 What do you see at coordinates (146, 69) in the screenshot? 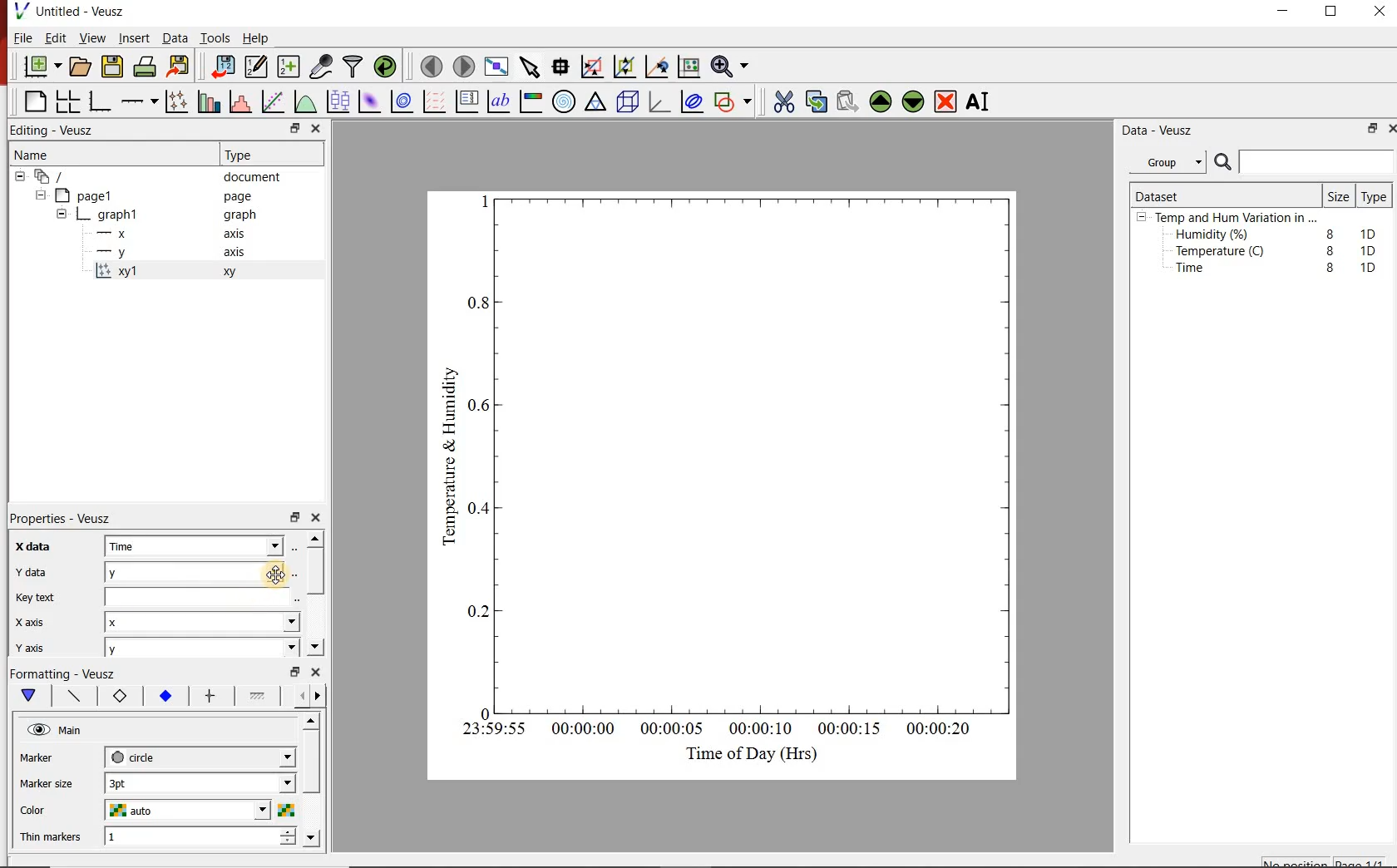
I see `print the document` at bounding box center [146, 69].